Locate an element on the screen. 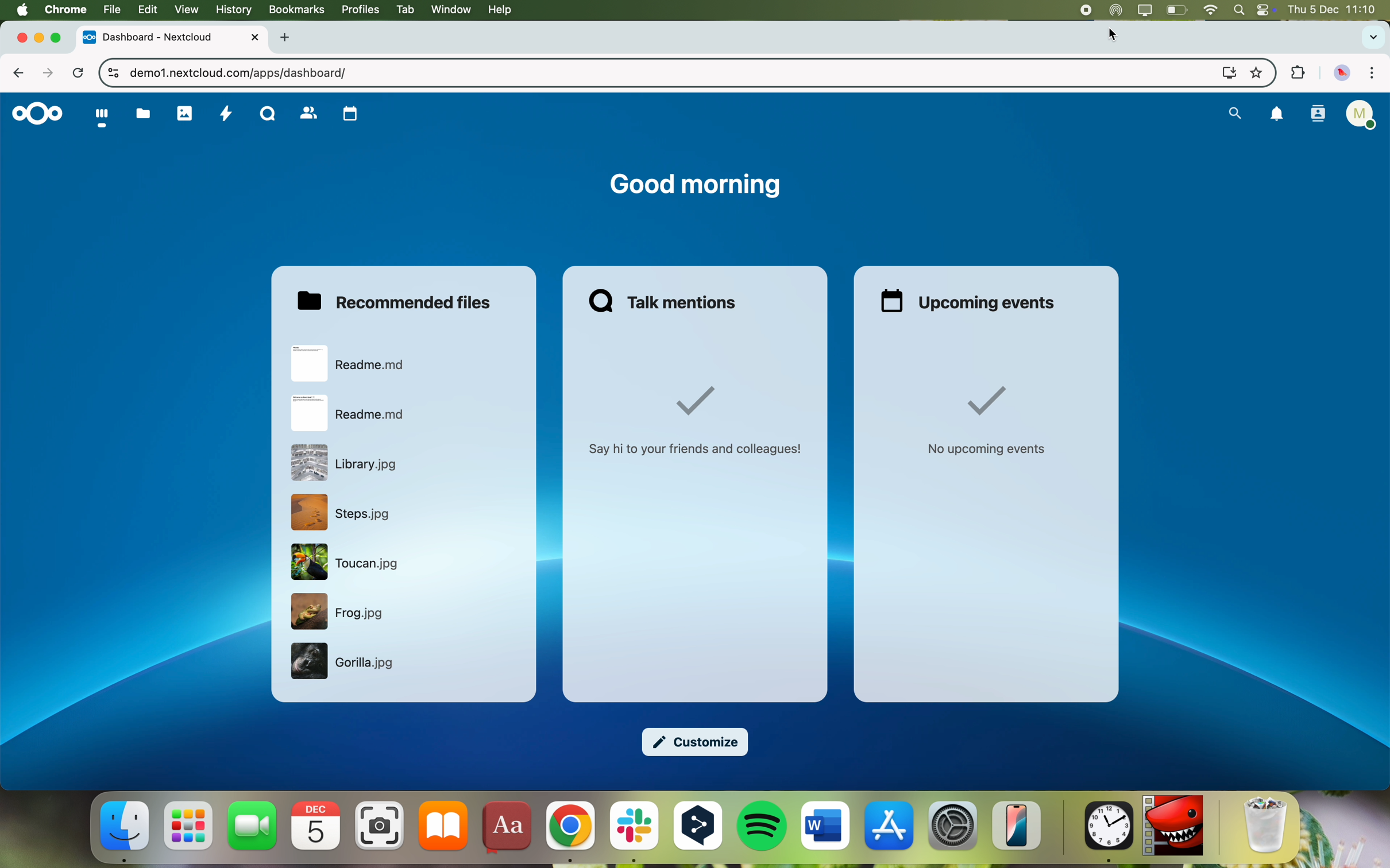 This screenshot has width=1390, height=868. customize button is located at coordinates (697, 743).